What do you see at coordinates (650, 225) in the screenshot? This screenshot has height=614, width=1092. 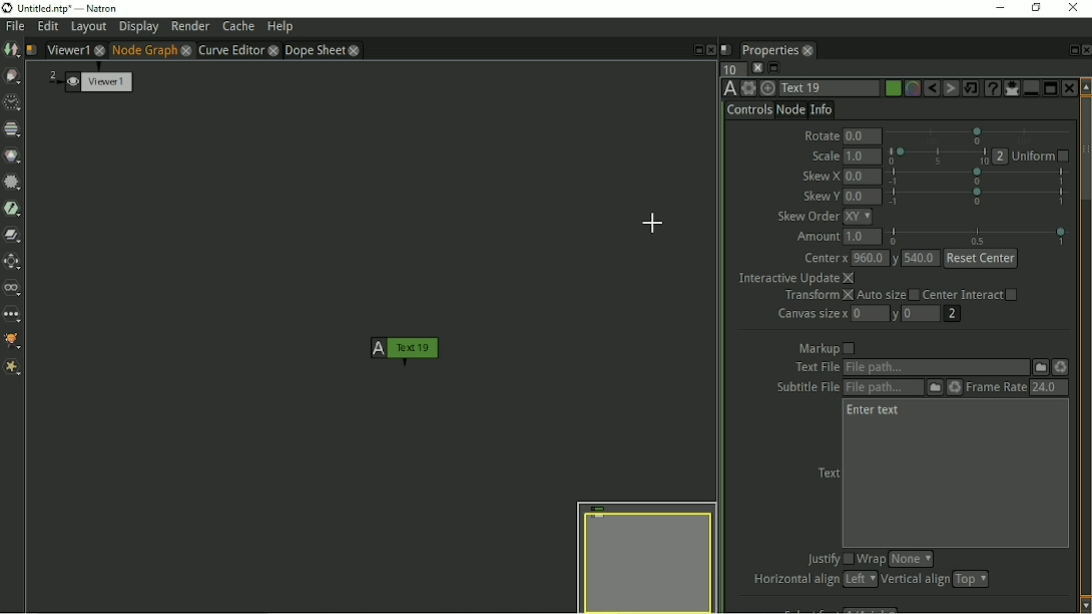 I see `Cursor` at bounding box center [650, 225].